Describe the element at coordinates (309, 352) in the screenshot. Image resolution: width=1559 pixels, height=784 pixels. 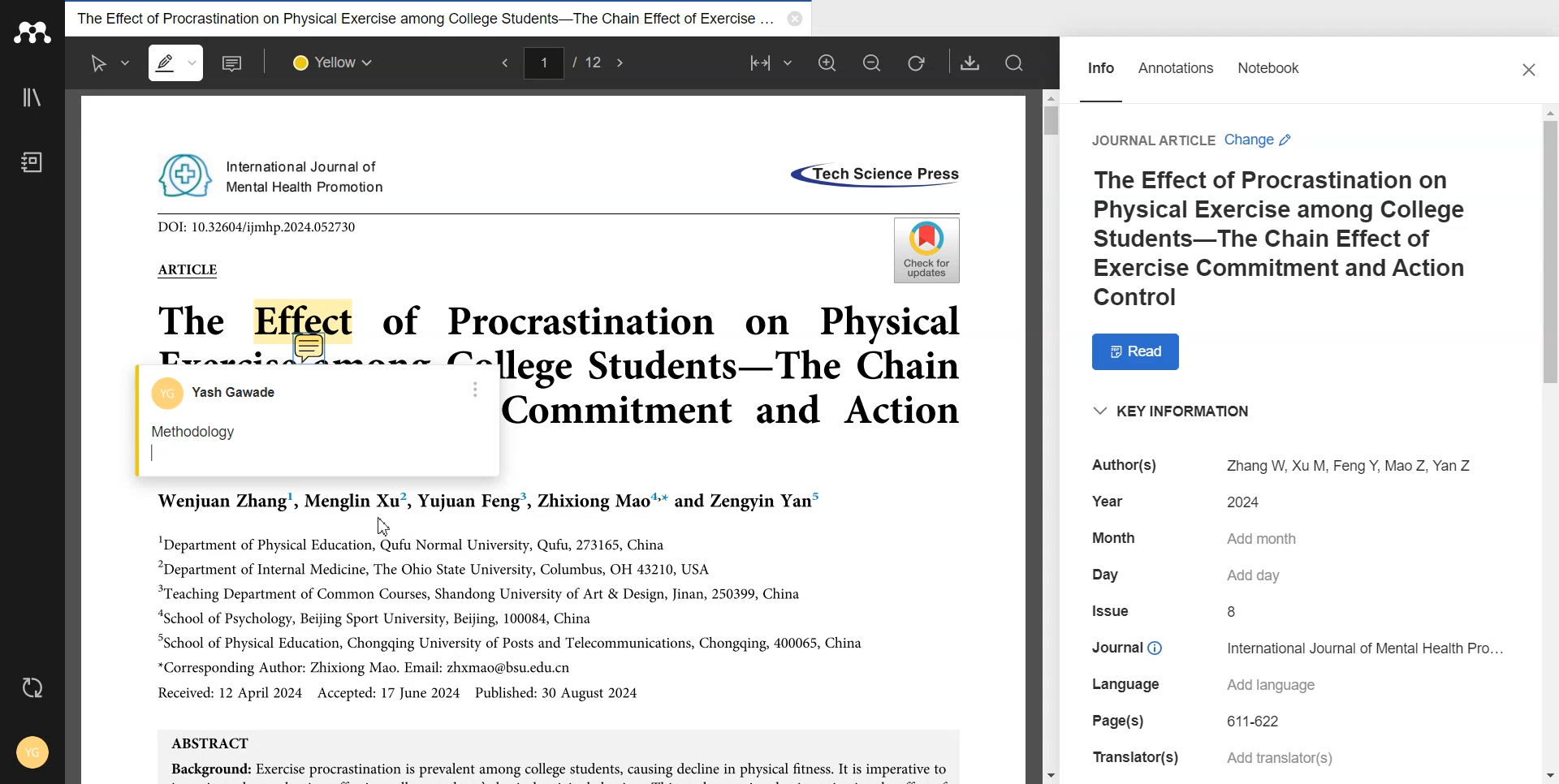
I see `Add note` at that location.